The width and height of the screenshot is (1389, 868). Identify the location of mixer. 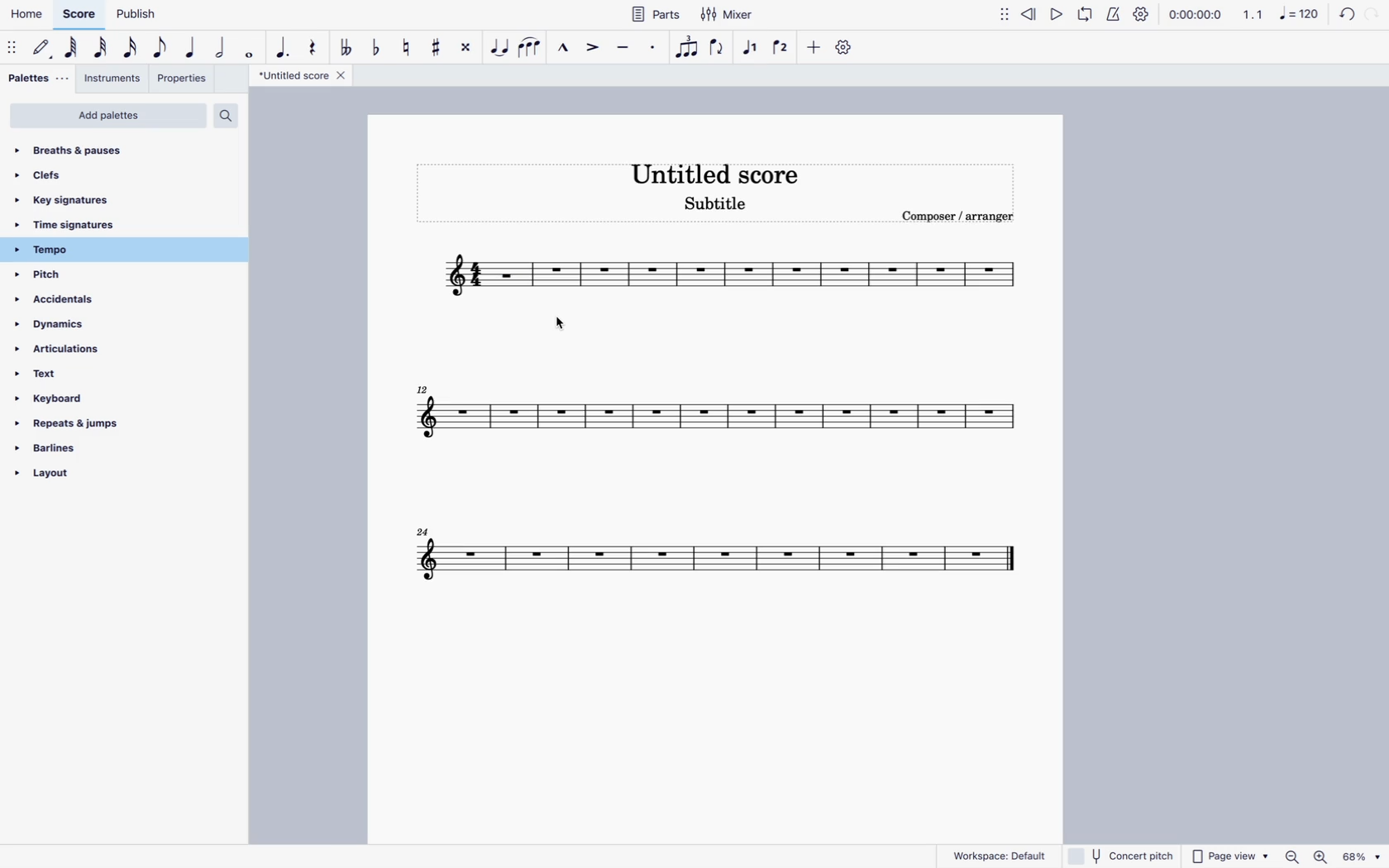
(728, 16).